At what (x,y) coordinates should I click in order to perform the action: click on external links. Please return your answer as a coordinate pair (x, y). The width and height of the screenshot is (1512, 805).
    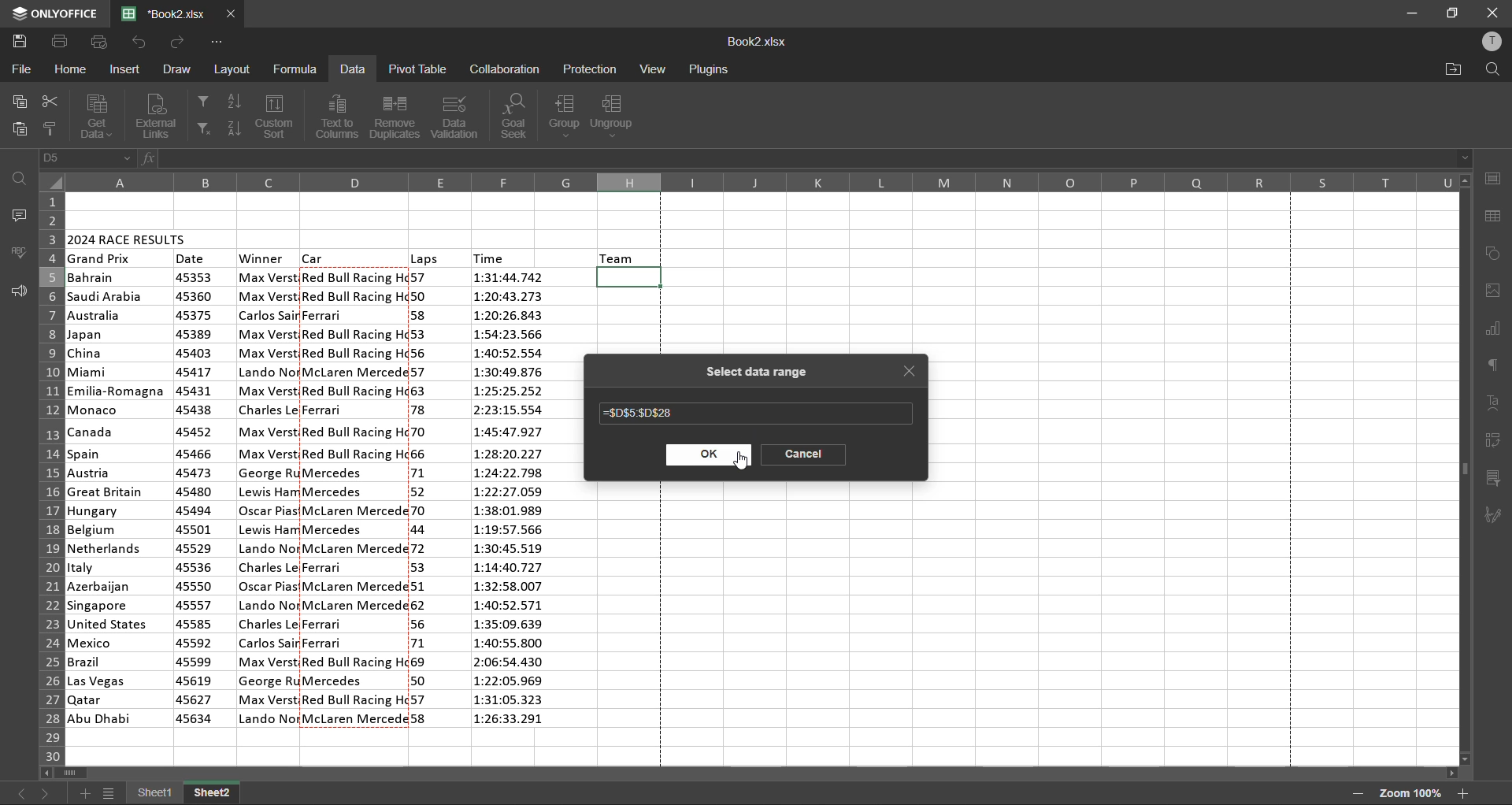
    Looking at the image, I should click on (160, 115).